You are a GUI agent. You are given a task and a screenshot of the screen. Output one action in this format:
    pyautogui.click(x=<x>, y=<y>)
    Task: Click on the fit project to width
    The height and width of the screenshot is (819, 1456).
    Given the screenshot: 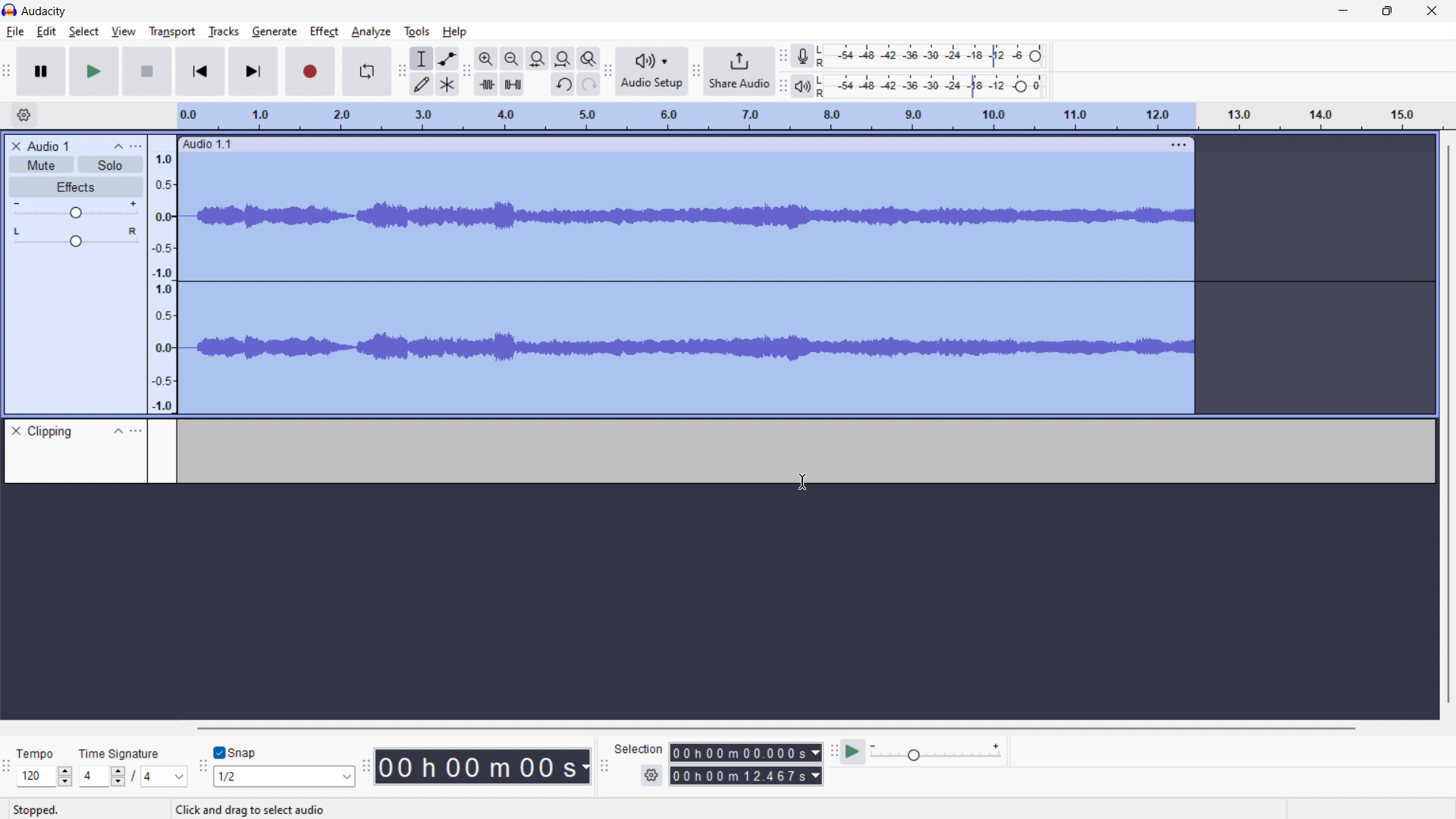 What is the action you would take?
    pyautogui.click(x=563, y=58)
    